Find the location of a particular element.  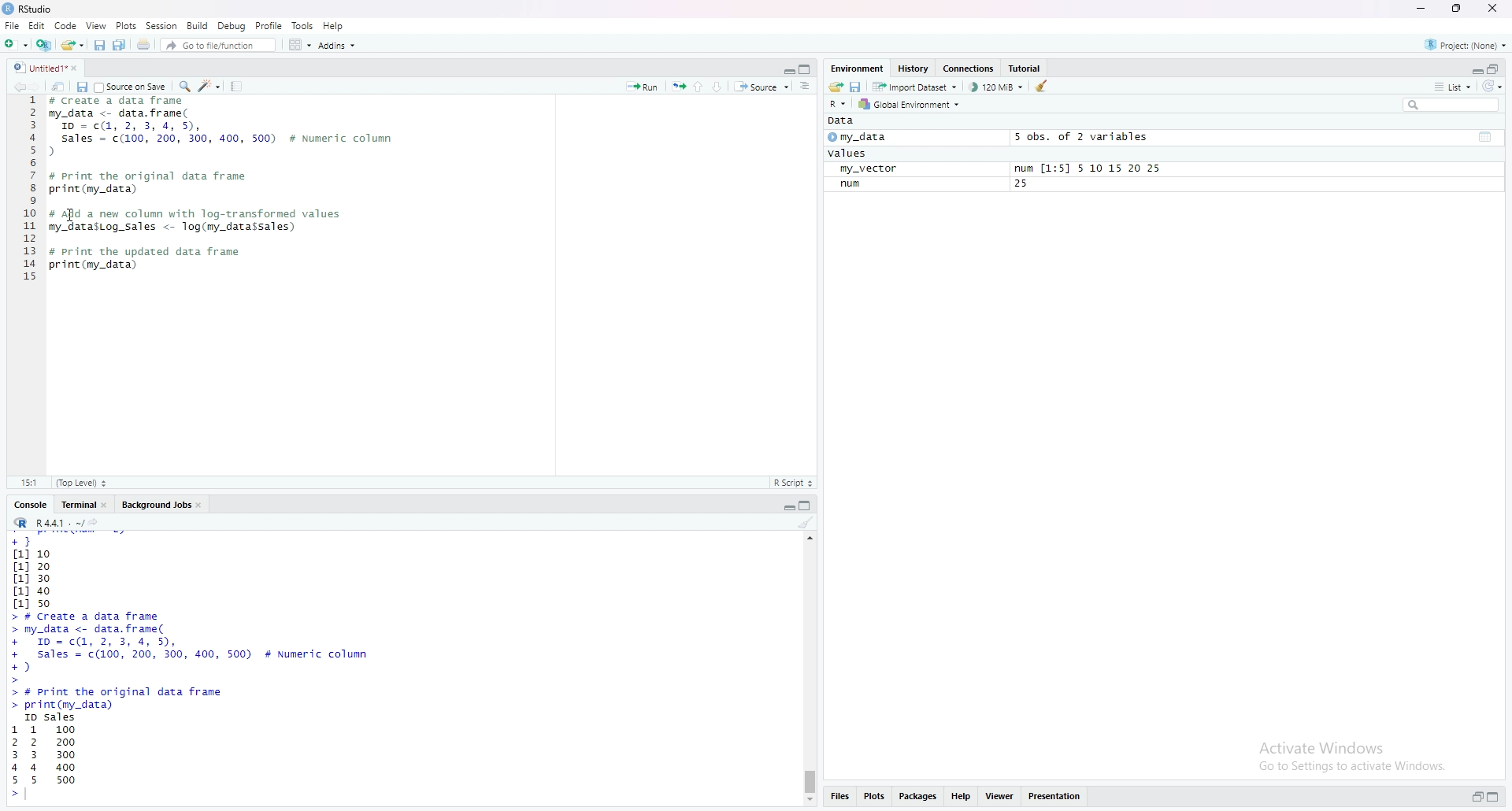

Project:(None) is located at coordinates (1469, 43).